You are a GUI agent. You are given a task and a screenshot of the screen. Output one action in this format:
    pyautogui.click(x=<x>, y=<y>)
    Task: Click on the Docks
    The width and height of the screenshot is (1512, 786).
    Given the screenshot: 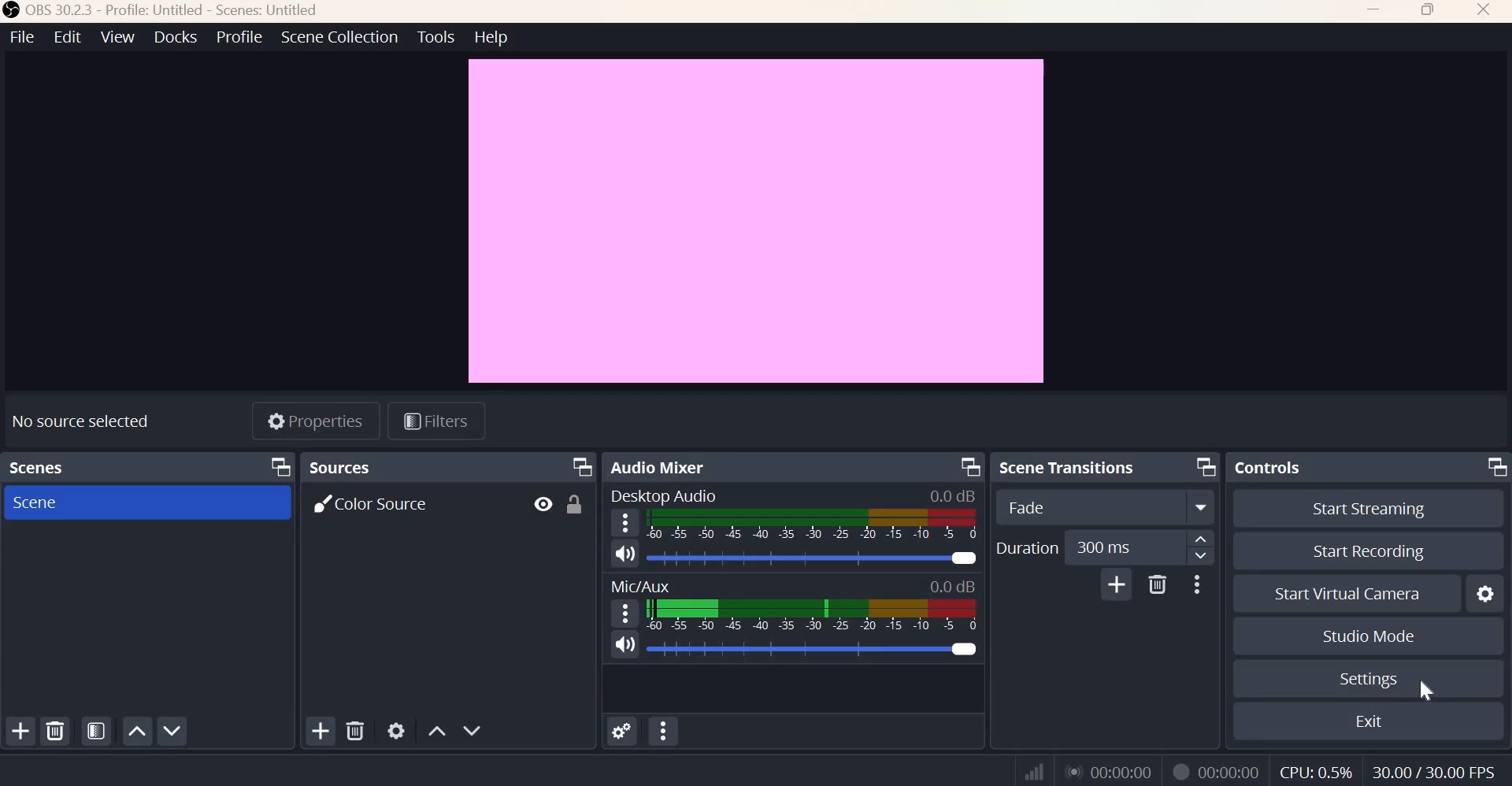 What is the action you would take?
    pyautogui.click(x=175, y=38)
    